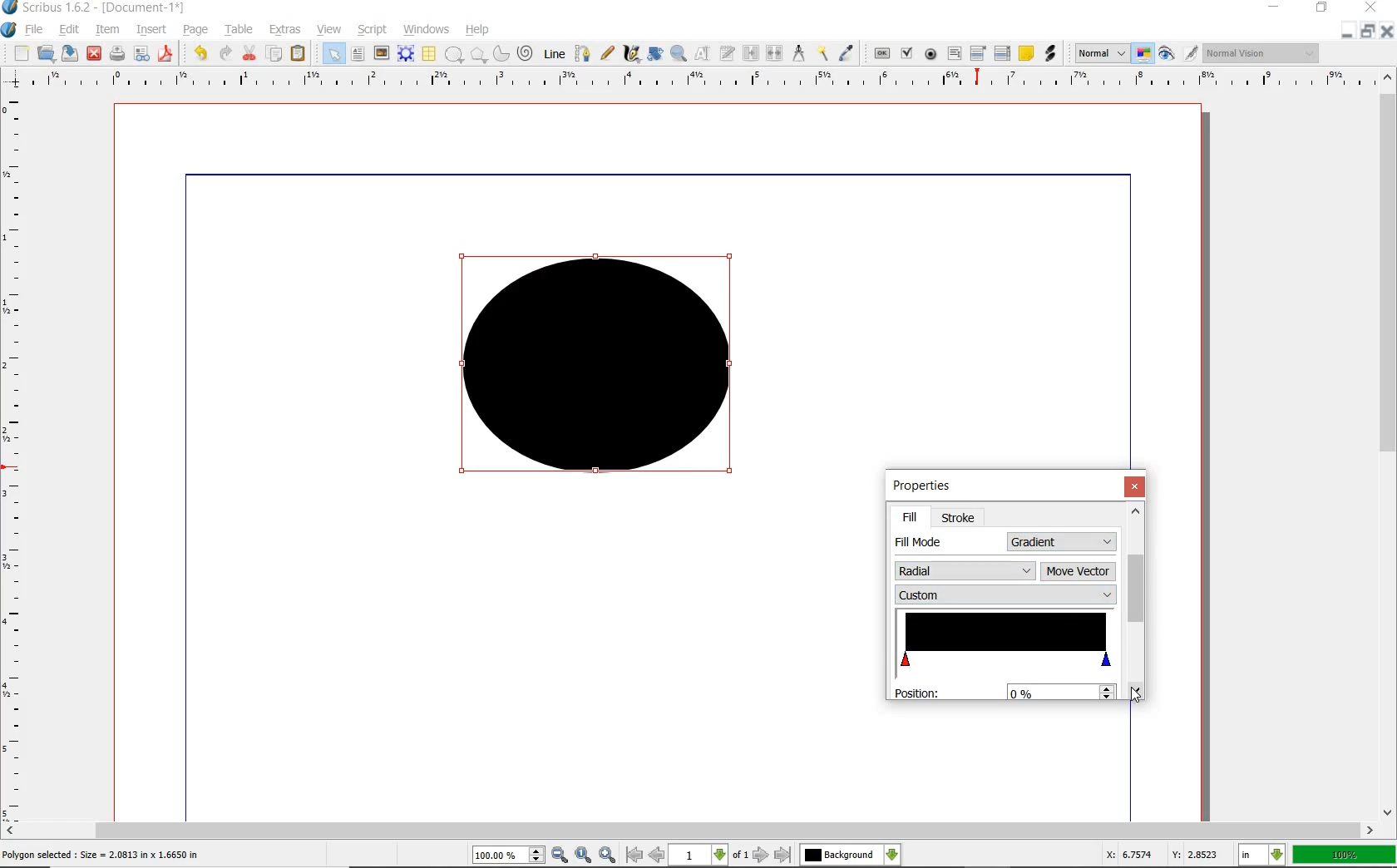 The image size is (1397, 868). I want to click on radial, so click(965, 570).